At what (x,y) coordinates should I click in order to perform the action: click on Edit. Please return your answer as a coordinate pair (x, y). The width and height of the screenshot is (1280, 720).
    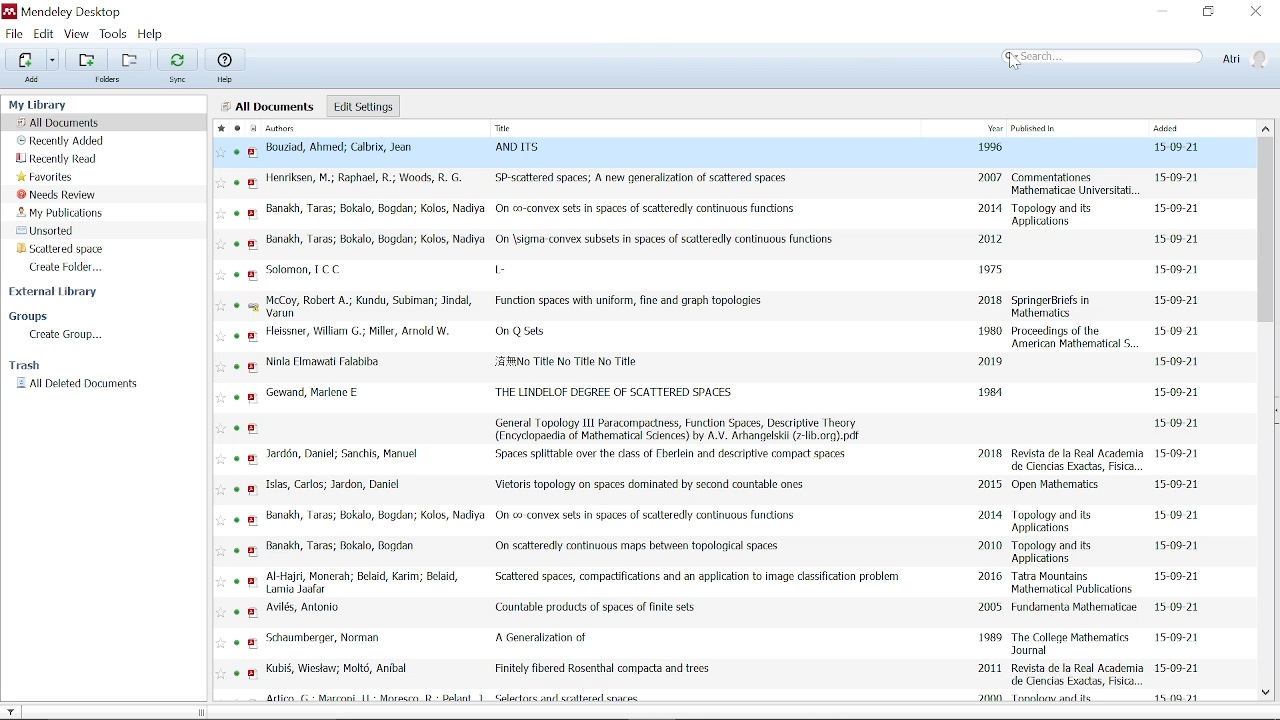
    Looking at the image, I should click on (43, 34).